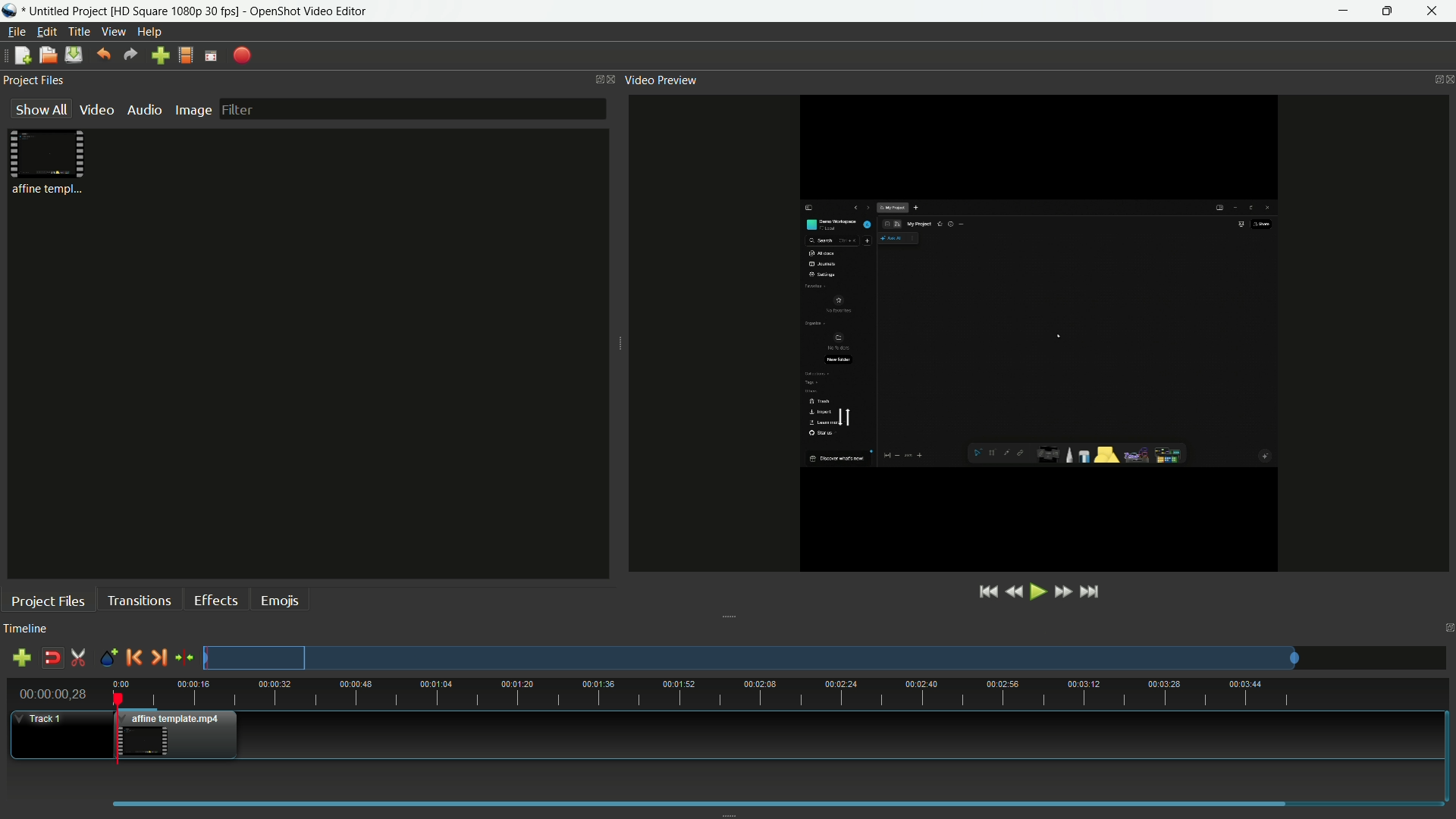  Describe the element at coordinates (67, 12) in the screenshot. I see `project name` at that location.